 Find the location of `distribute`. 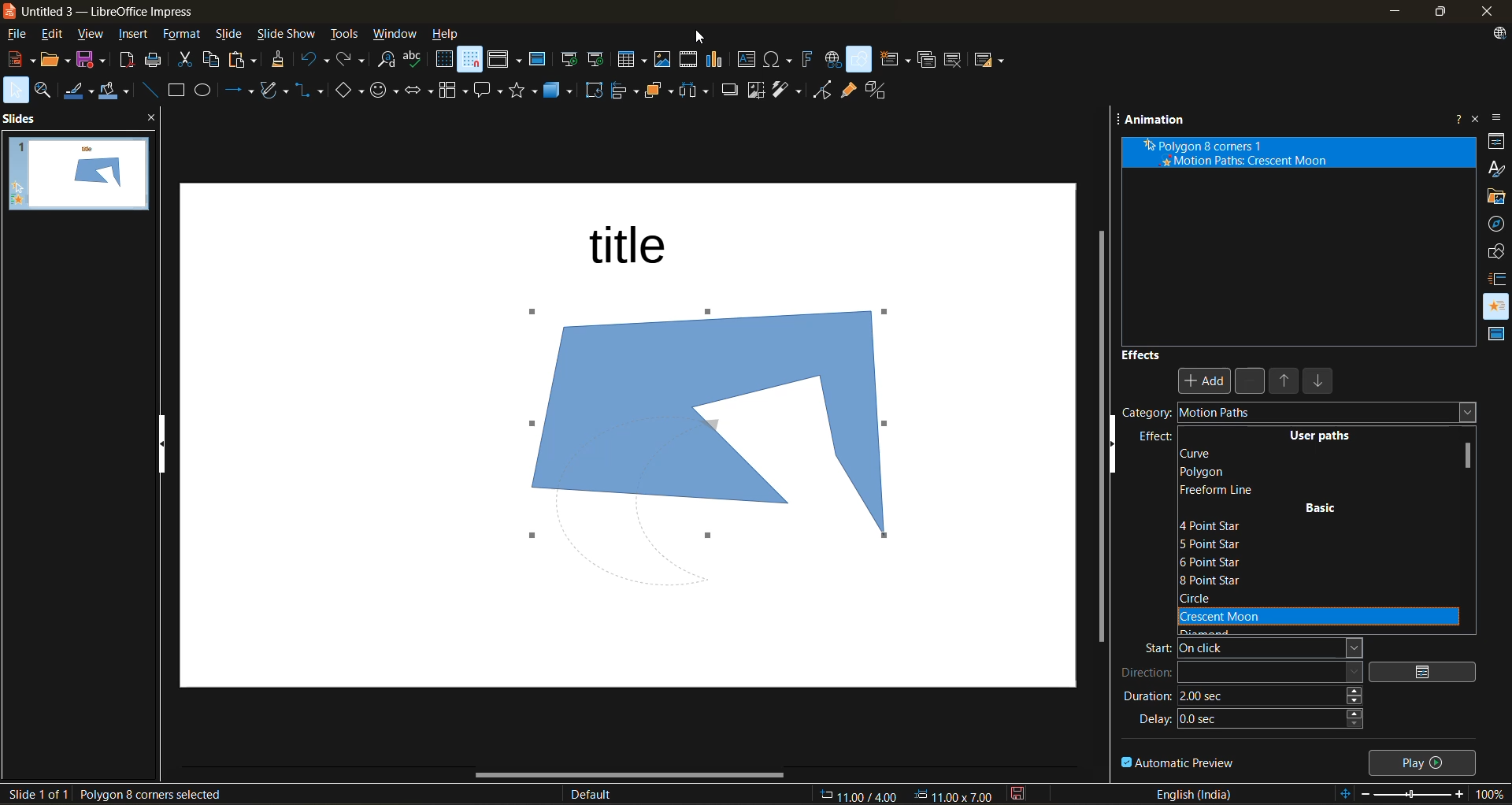

distribute is located at coordinates (697, 91).